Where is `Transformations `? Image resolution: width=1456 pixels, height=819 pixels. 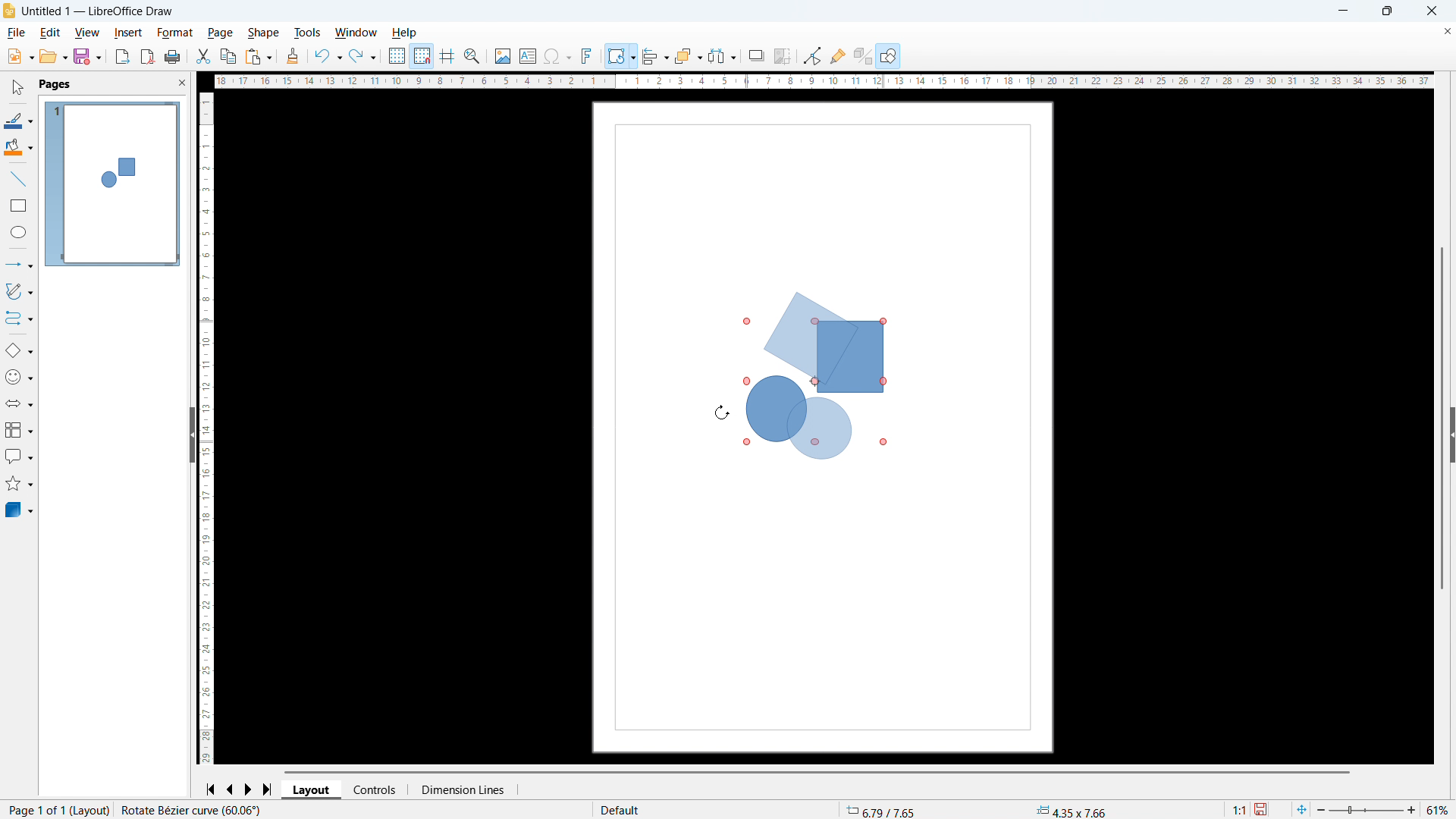 Transformations  is located at coordinates (621, 56).